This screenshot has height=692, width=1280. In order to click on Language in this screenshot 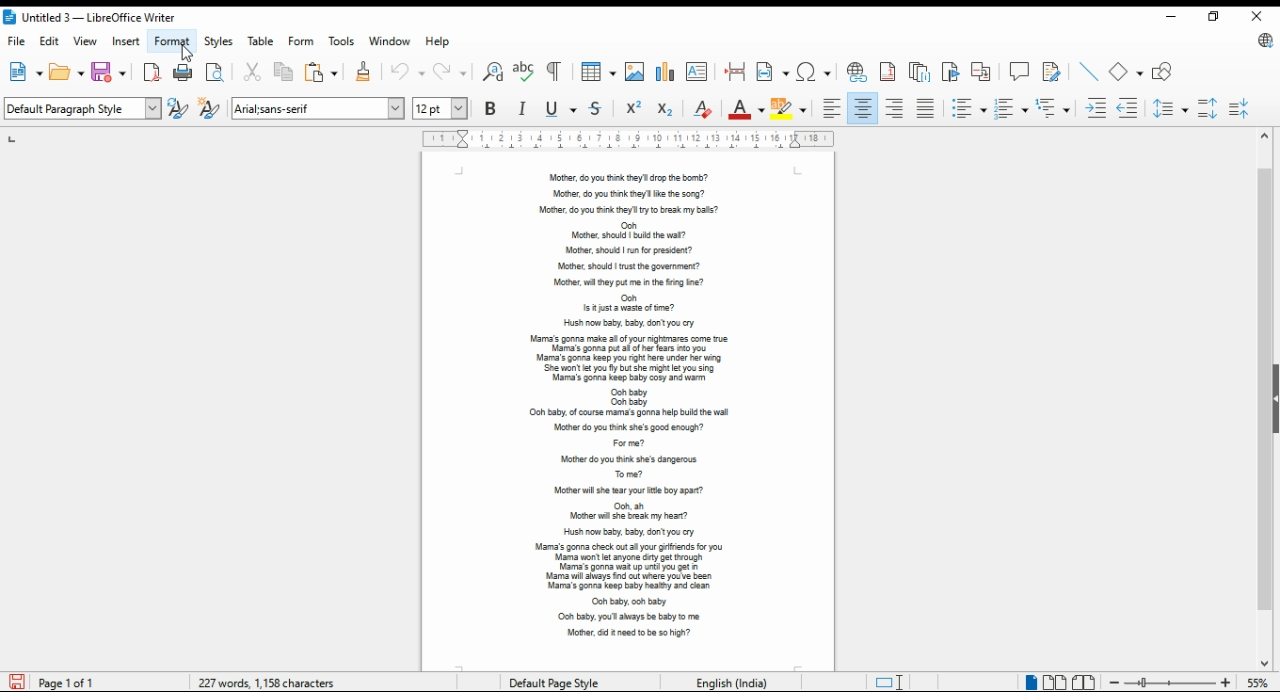, I will do `click(726, 682)`.